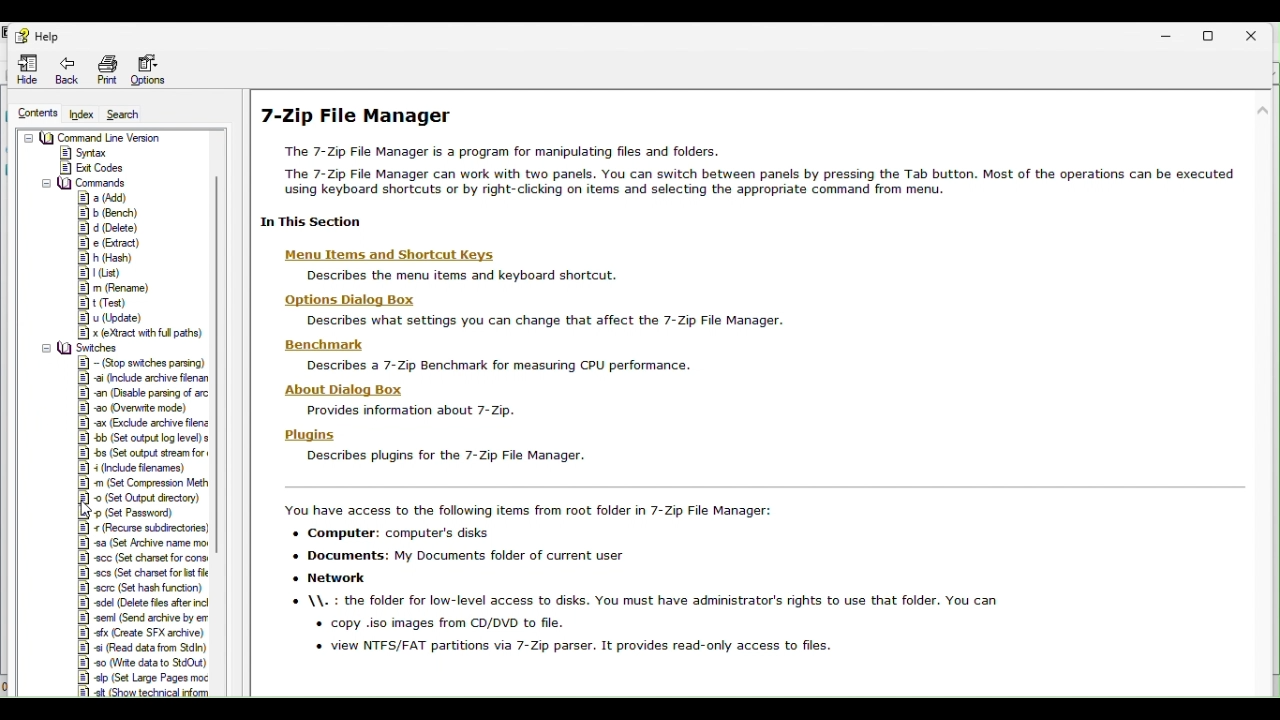  What do you see at coordinates (407, 412) in the screenshot?
I see `provide info` at bounding box center [407, 412].